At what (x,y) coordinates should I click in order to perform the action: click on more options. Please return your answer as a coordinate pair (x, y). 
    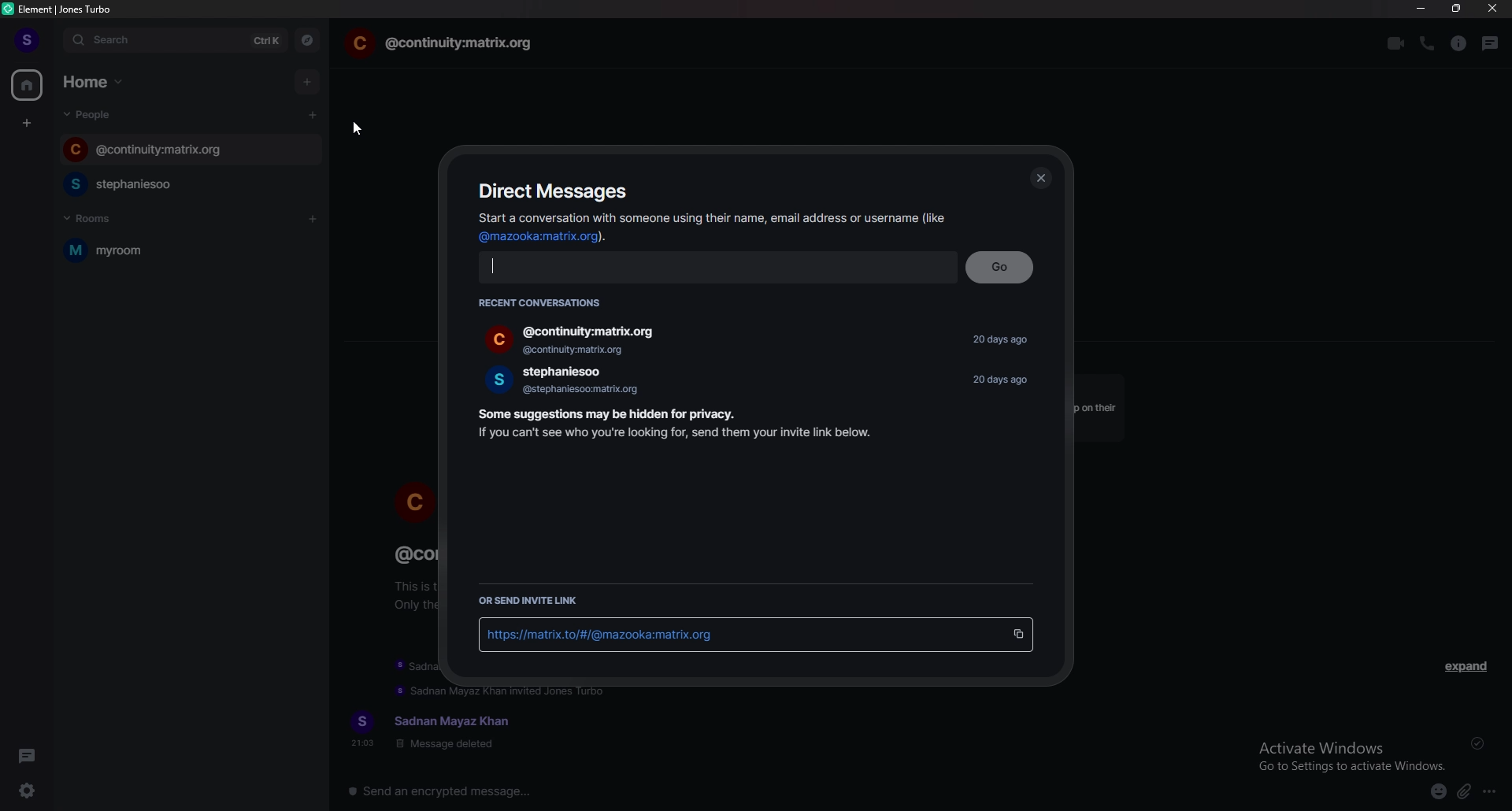
    Looking at the image, I should click on (1491, 793).